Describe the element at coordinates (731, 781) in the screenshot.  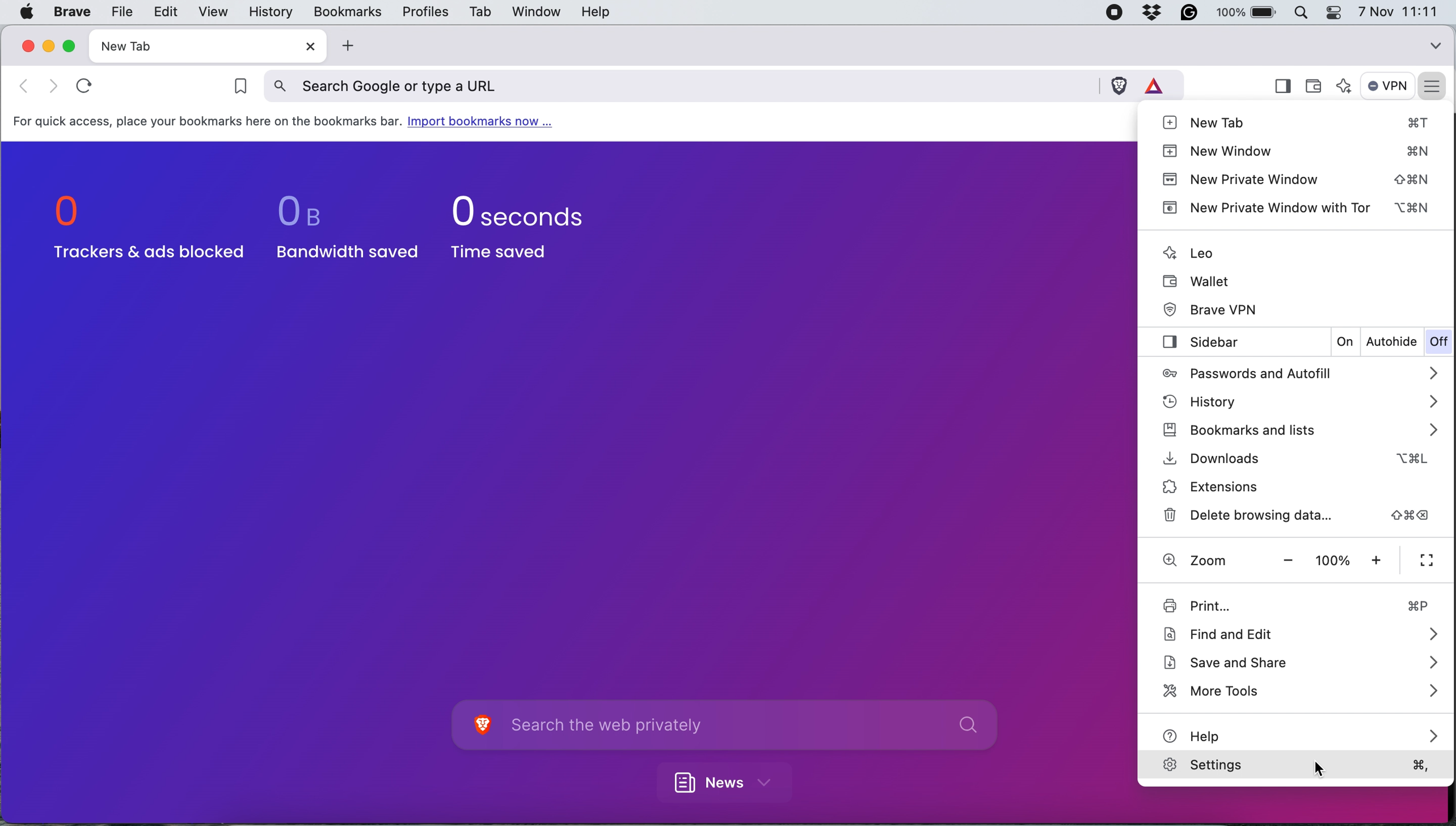
I see `news` at that location.